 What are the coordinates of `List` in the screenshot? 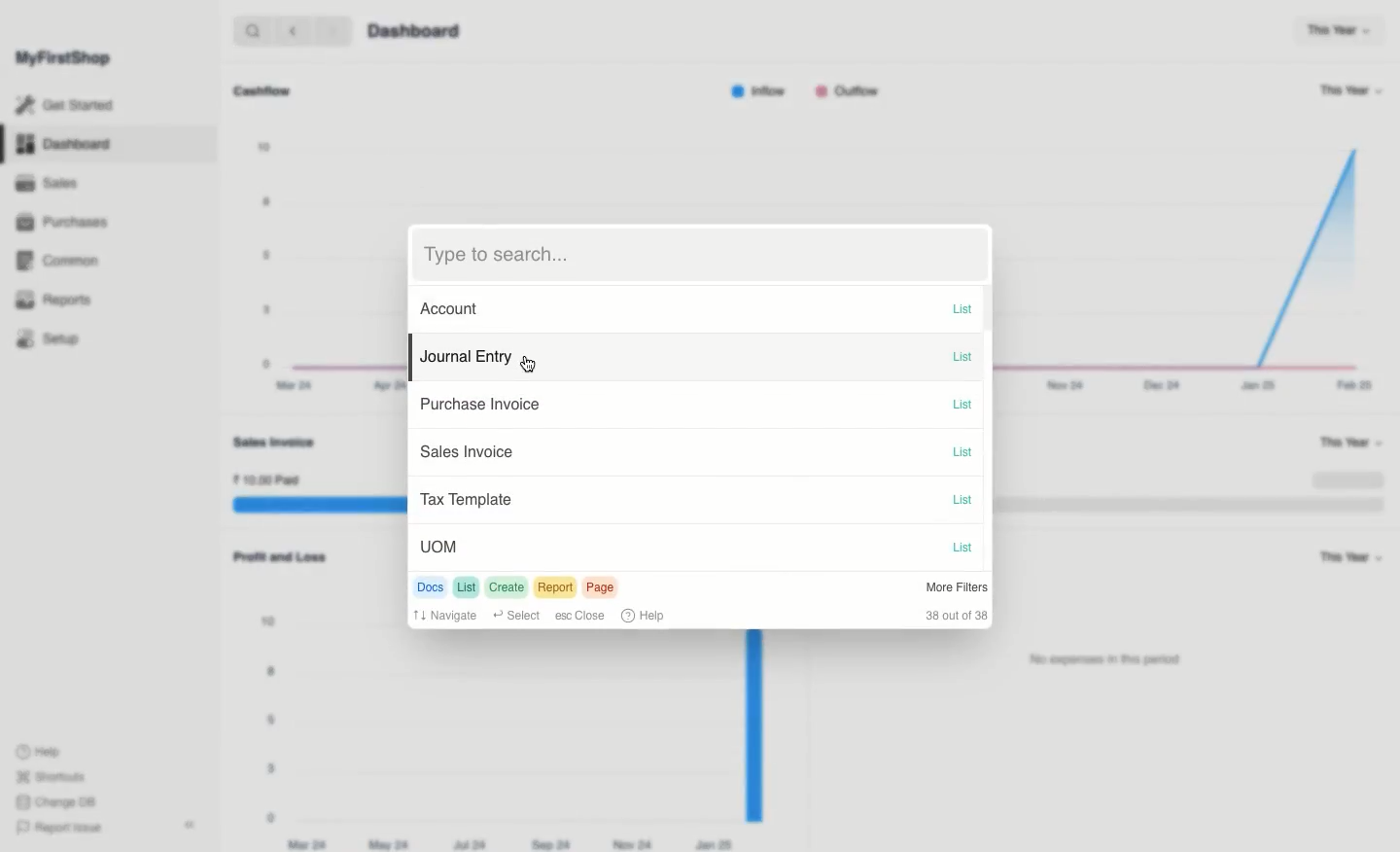 It's located at (962, 310).